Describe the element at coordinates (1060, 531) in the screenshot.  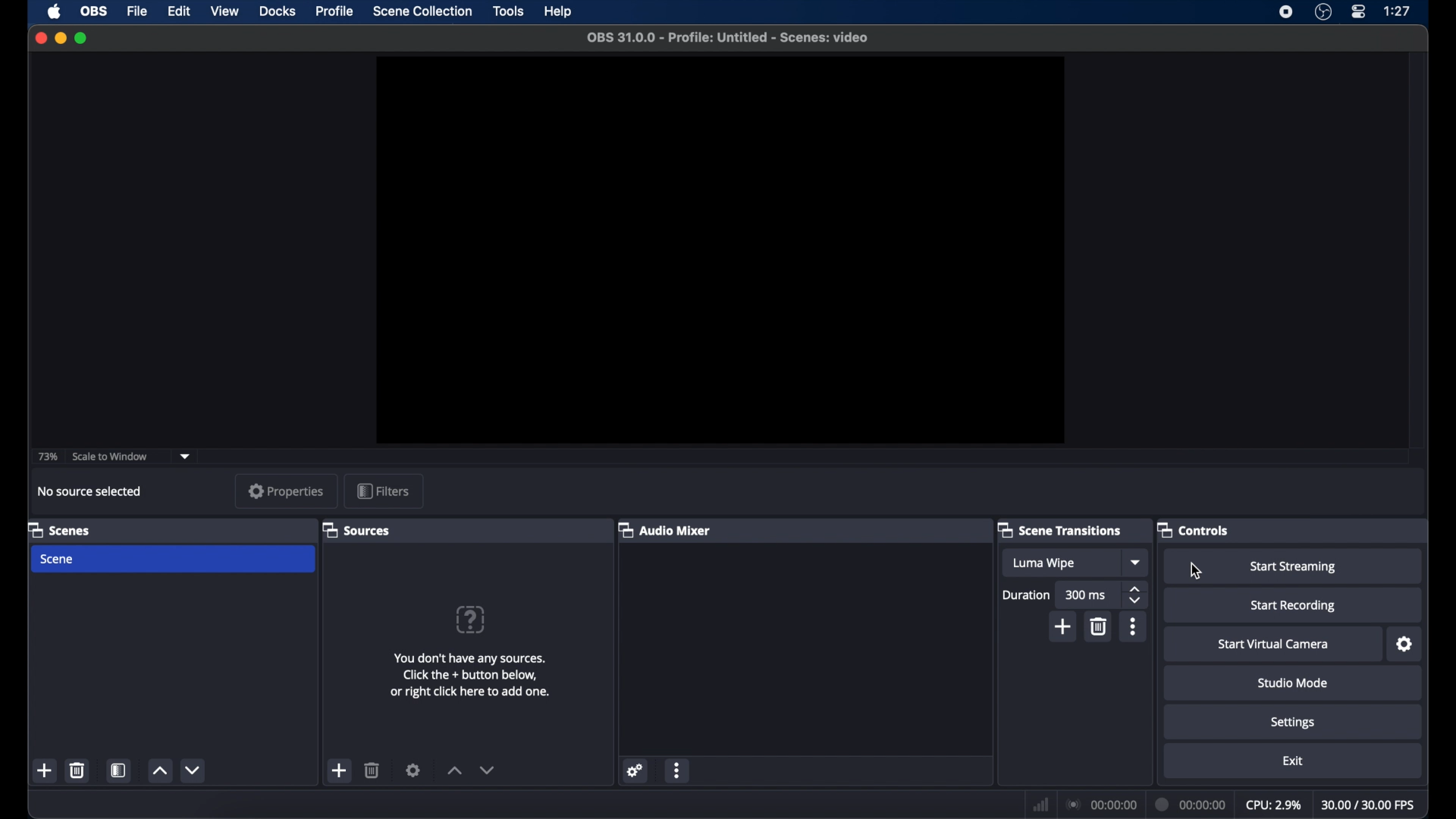
I see `scene transitions` at that location.